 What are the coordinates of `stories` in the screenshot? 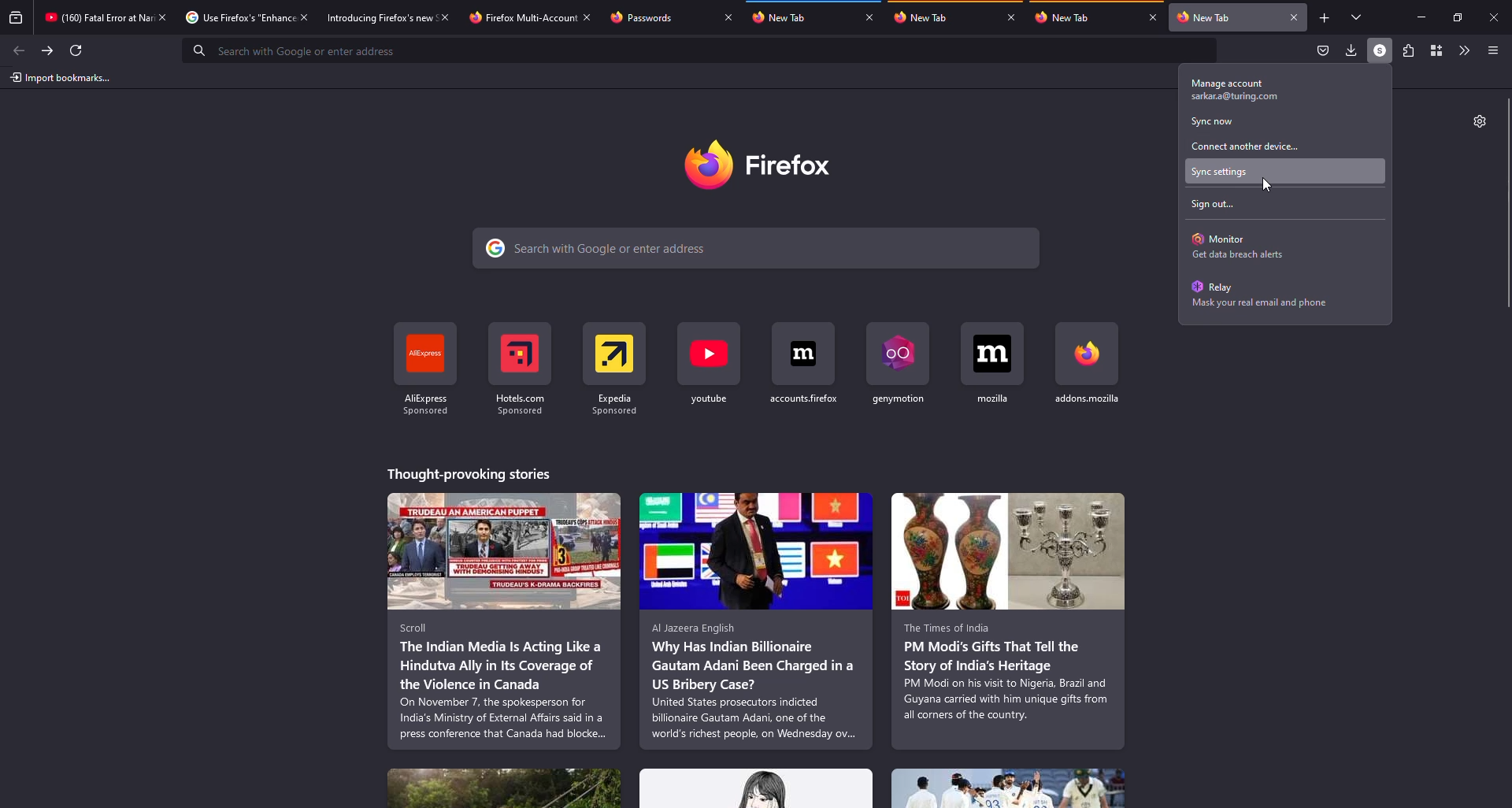 It's located at (1010, 621).